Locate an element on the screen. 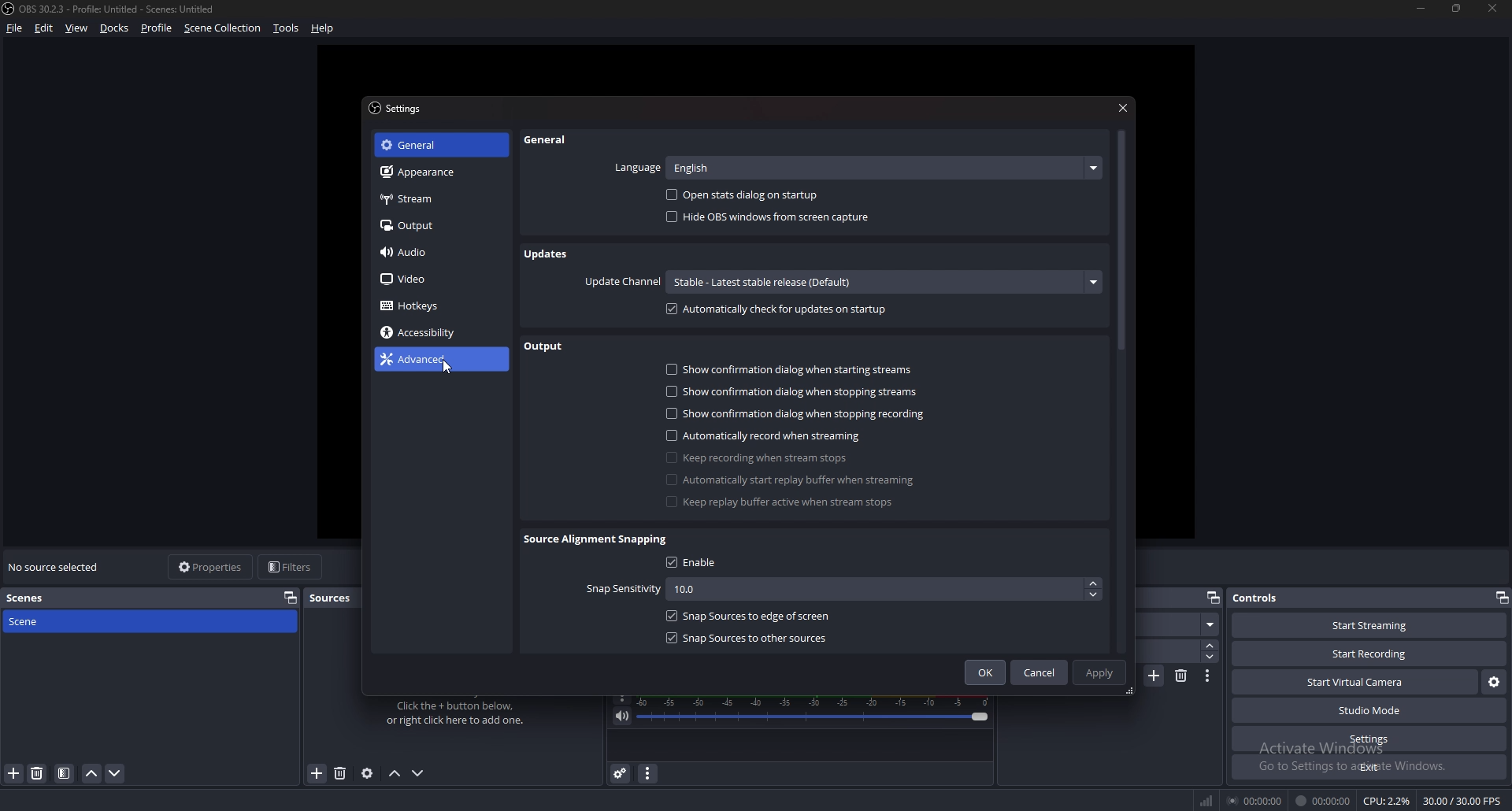 The image size is (1512, 811). Snap sources to other sources is located at coordinates (747, 637).